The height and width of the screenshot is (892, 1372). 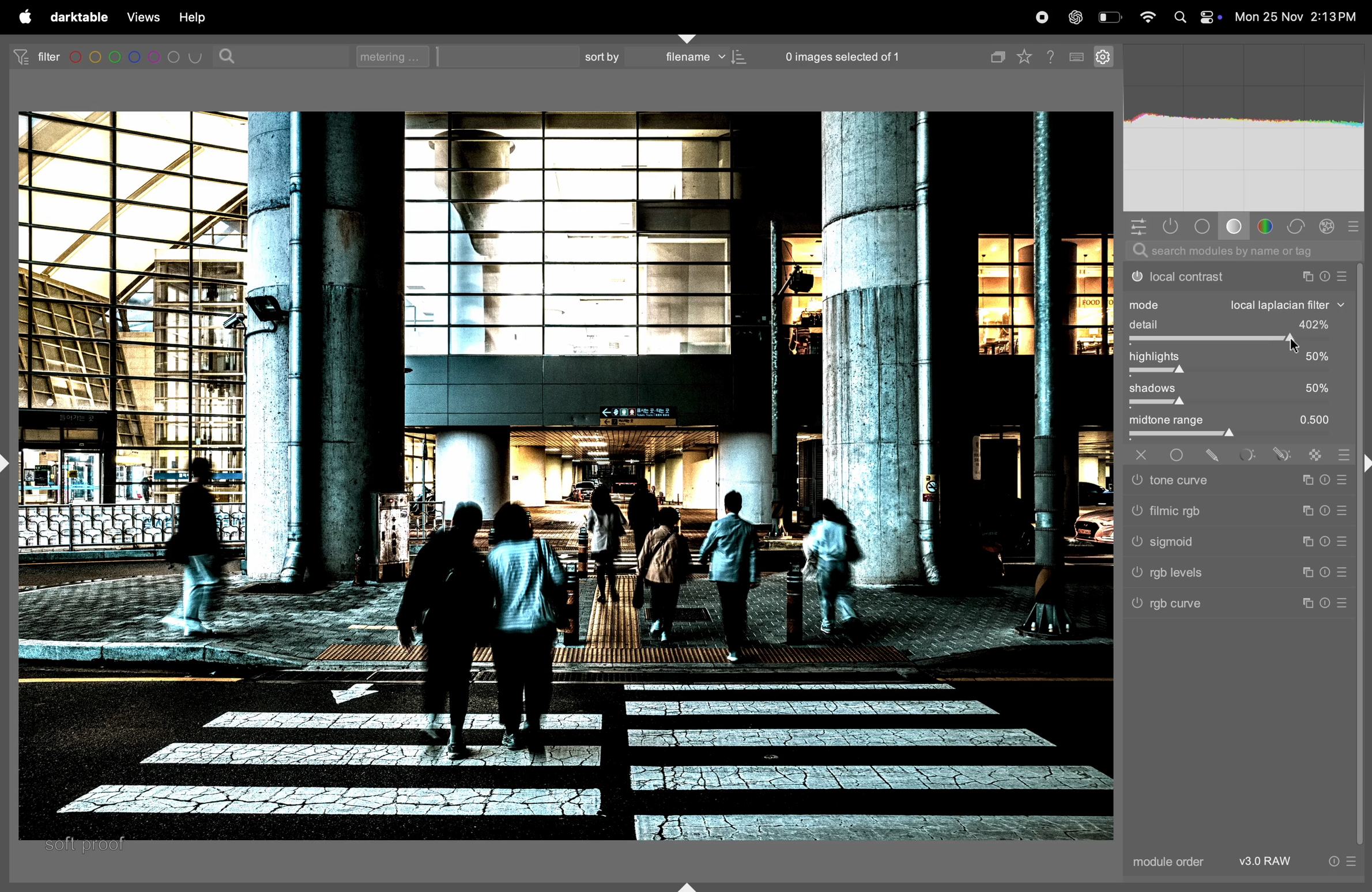 I want to click on tone curve switched off, so click(x=1136, y=481).